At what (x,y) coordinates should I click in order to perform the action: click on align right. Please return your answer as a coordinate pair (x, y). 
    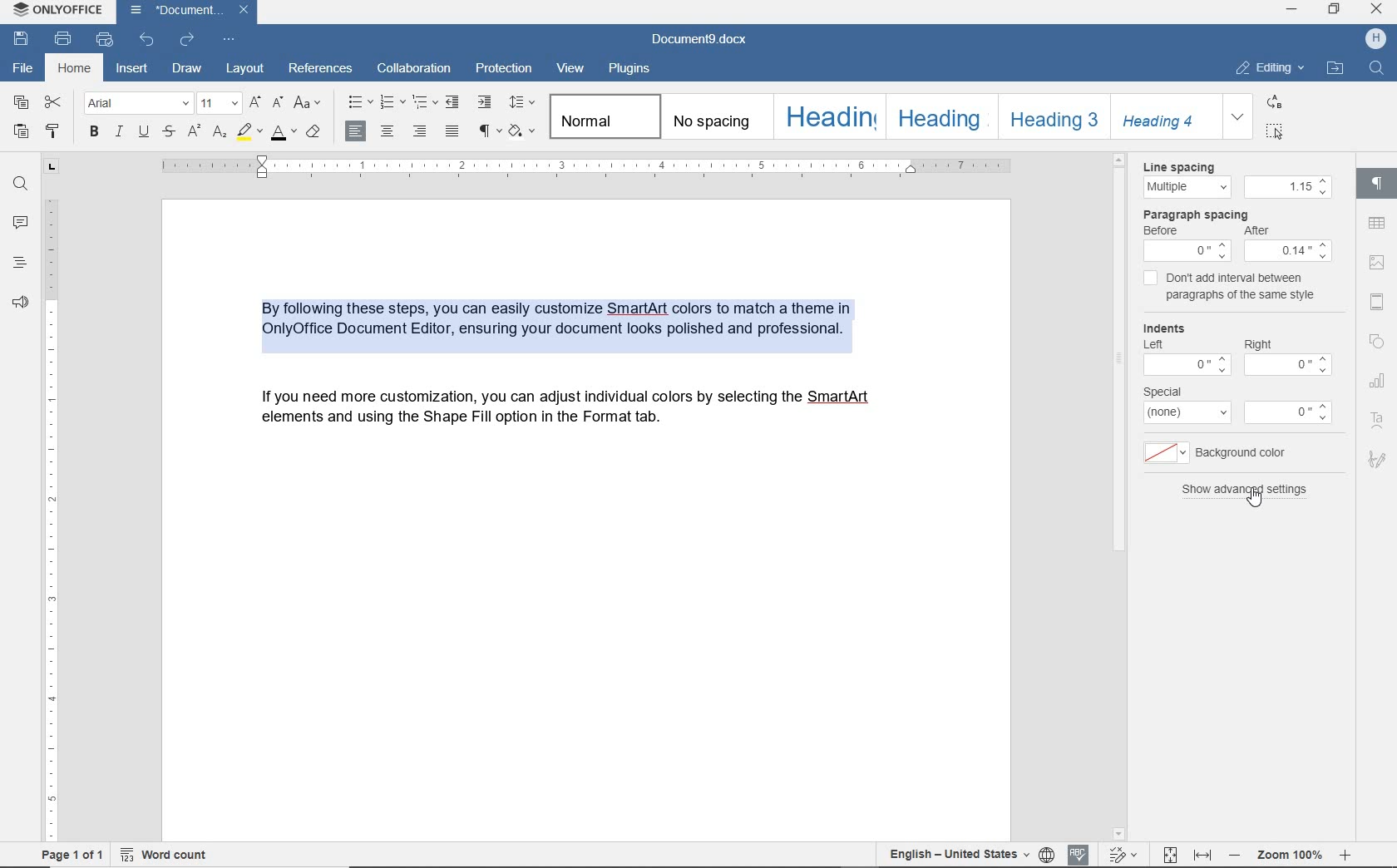
    Looking at the image, I should click on (418, 131).